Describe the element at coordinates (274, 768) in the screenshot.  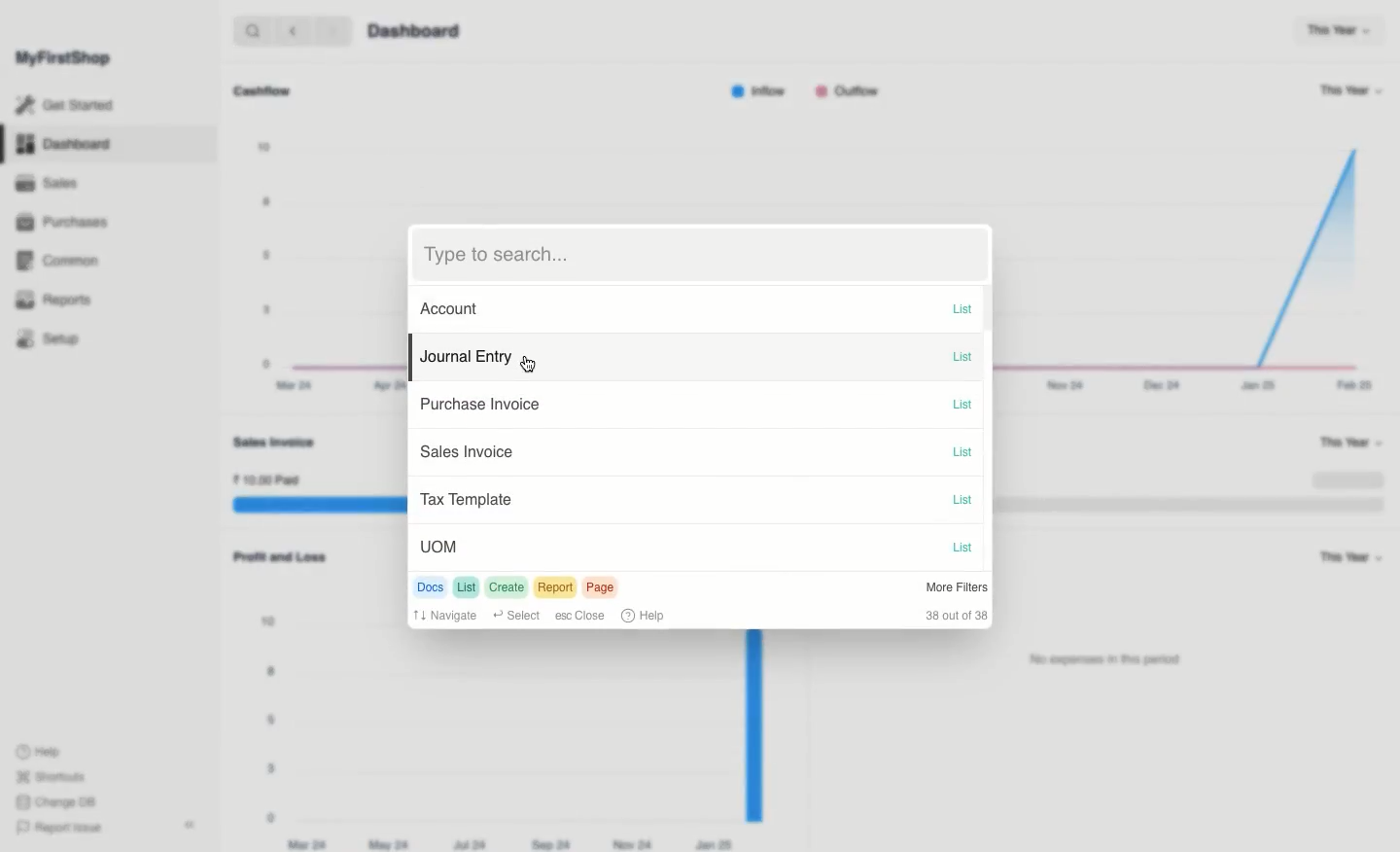
I see `3` at that location.